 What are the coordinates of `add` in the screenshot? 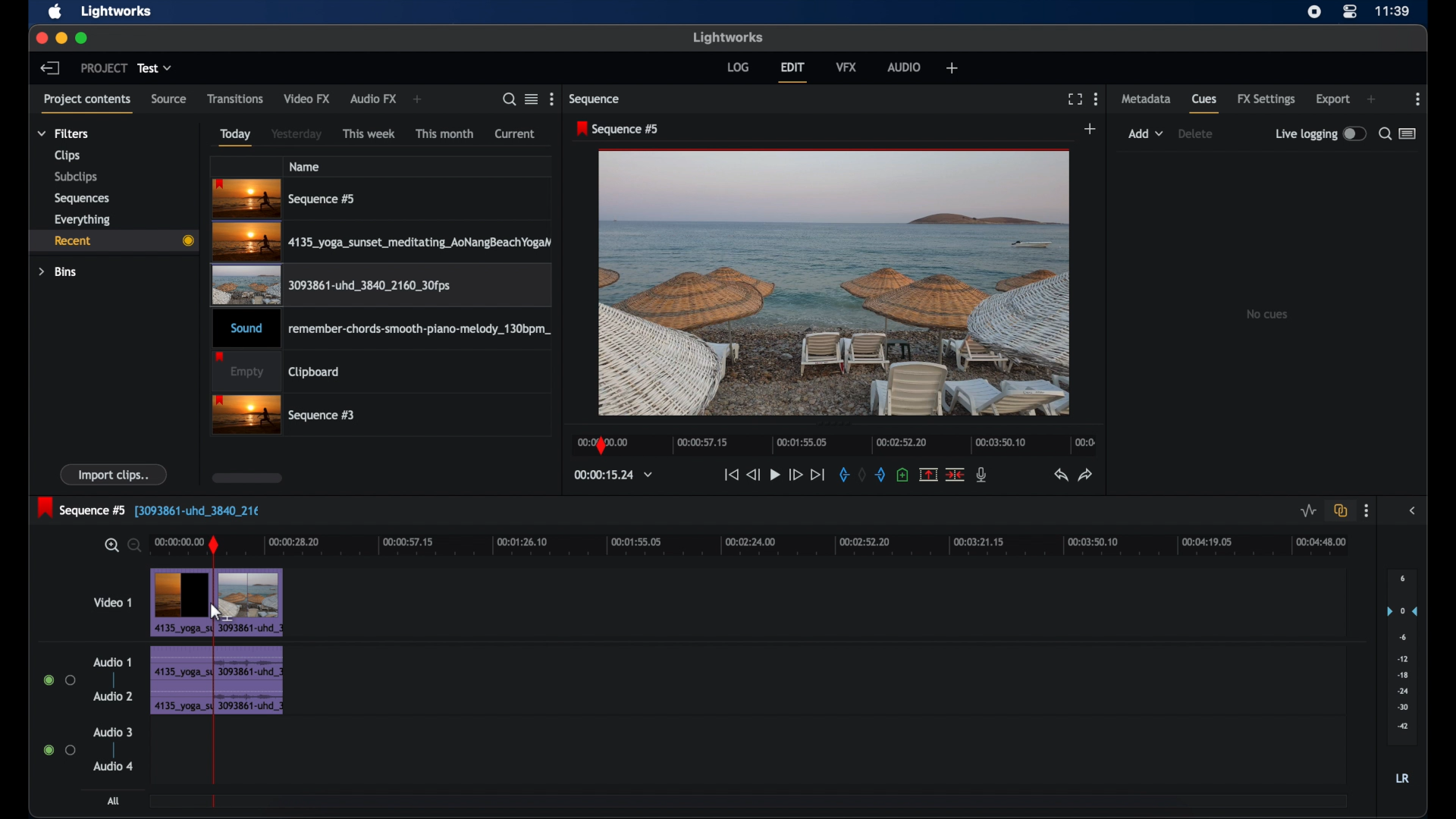 It's located at (952, 67).